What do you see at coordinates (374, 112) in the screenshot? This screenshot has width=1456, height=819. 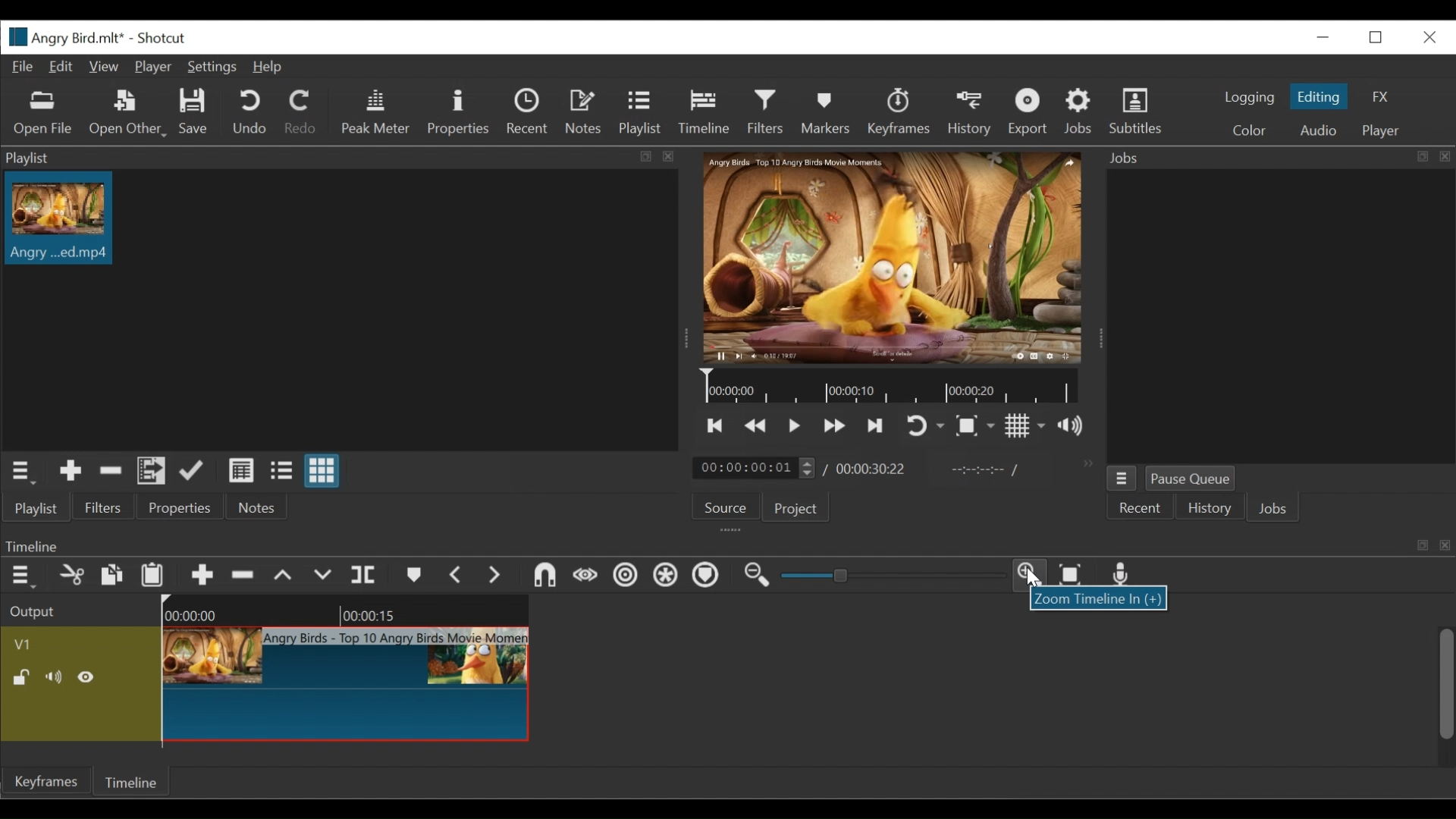 I see `Peak Meter` at bounding box center [374, 112].